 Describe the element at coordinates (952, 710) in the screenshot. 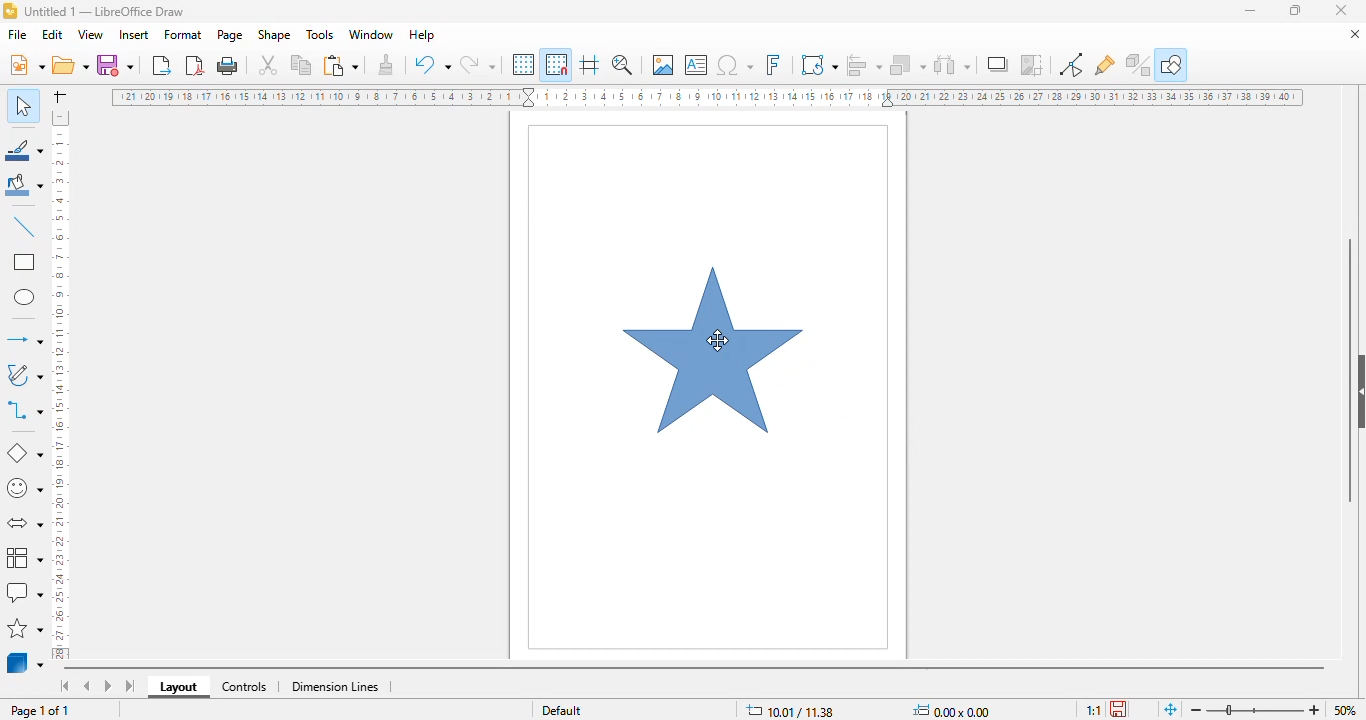

I see `width and height of object` at that location.